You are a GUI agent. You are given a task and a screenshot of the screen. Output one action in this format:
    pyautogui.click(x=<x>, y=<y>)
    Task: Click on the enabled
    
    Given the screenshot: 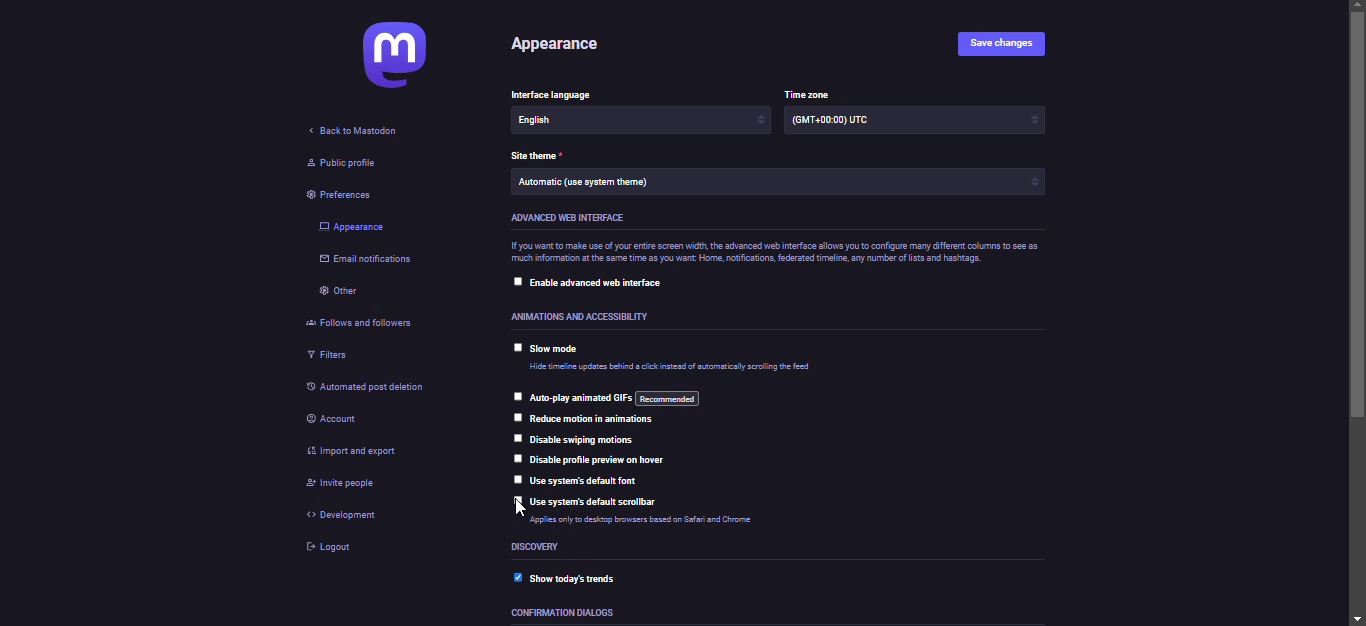 What is the action you would take?
    pyautogui.click(x=514, y=578)
    